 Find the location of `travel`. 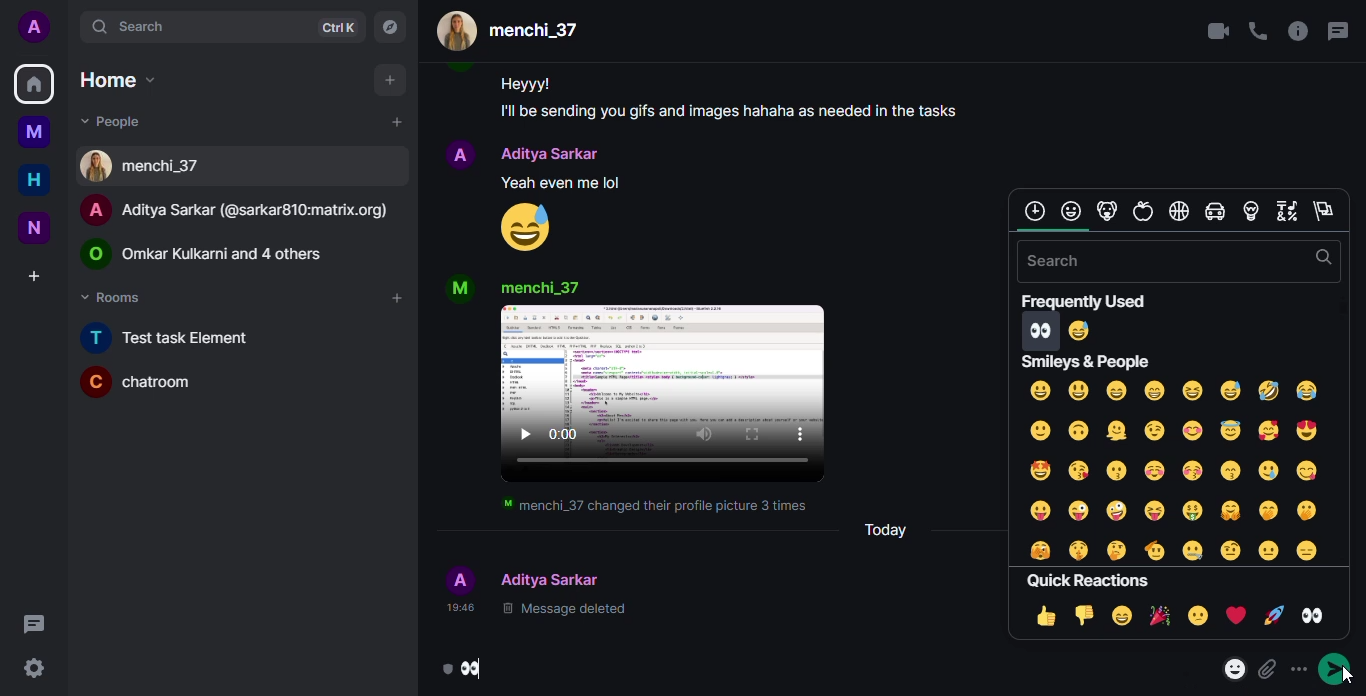

travel is located at coordinates (1212, 212).